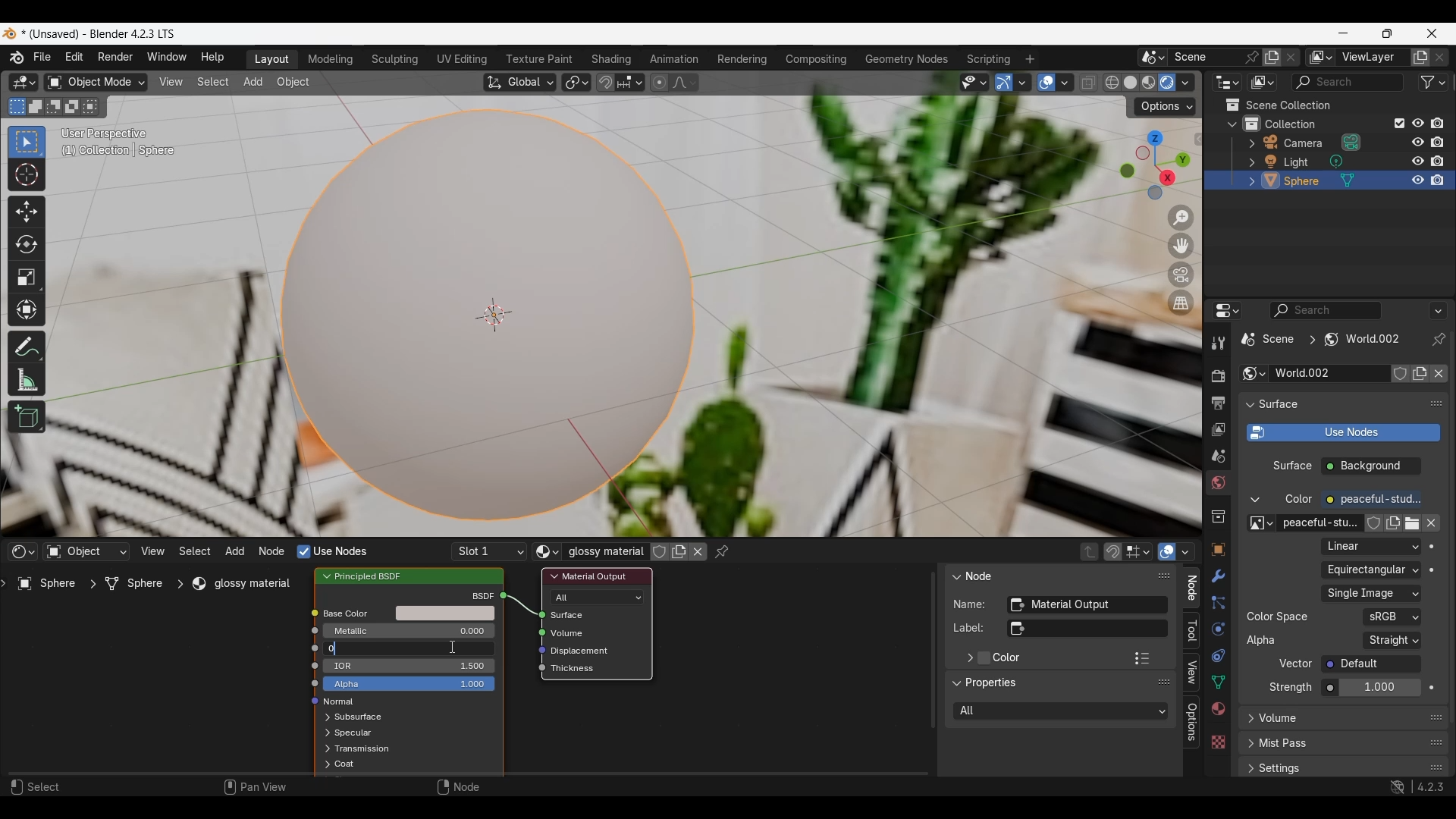  What do you see at coordinates (213, 58) in the screenshot?
I see `Help` at bounding box center [213, 58].